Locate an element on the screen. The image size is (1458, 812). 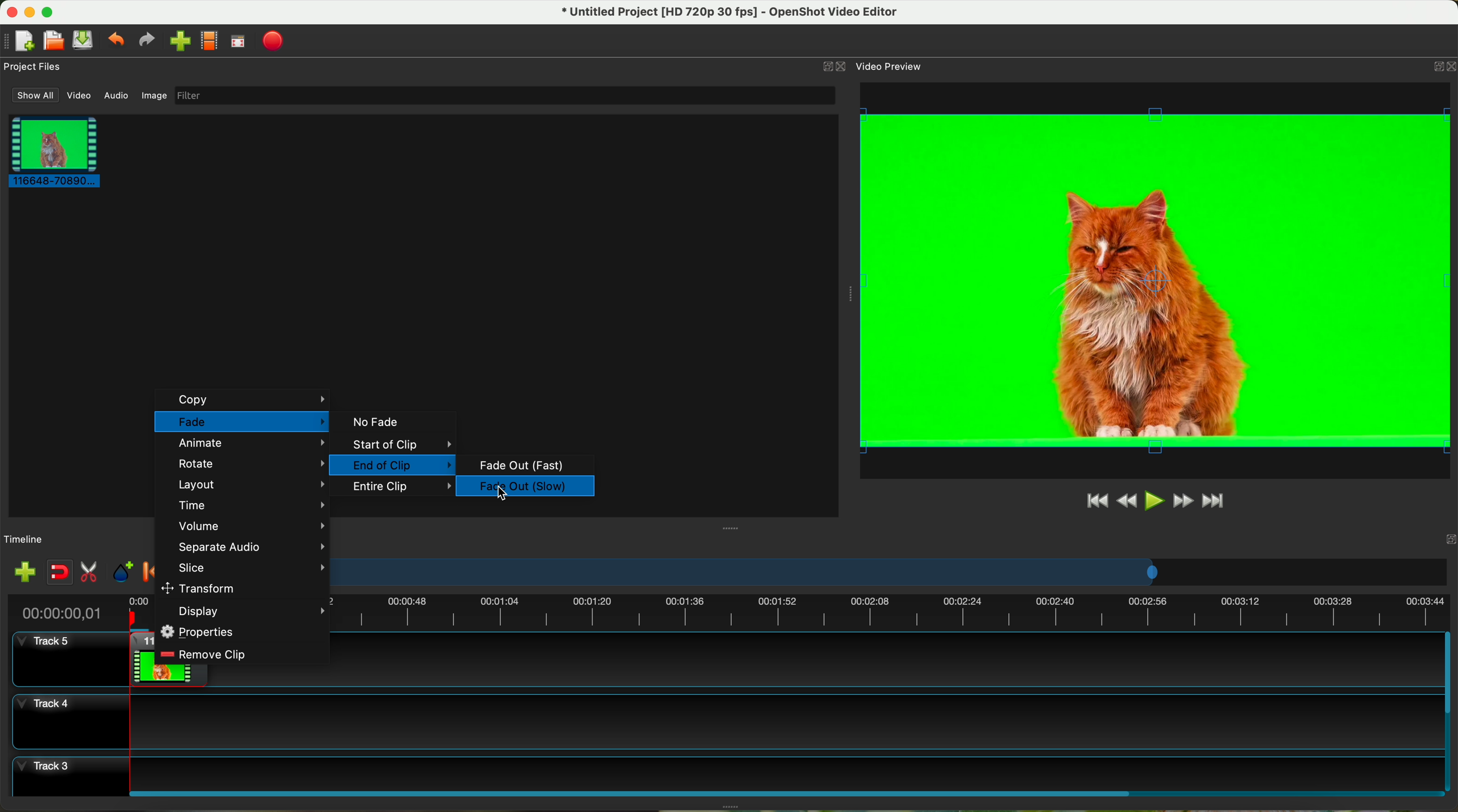
click on import file is located at coordinates (177, 37).